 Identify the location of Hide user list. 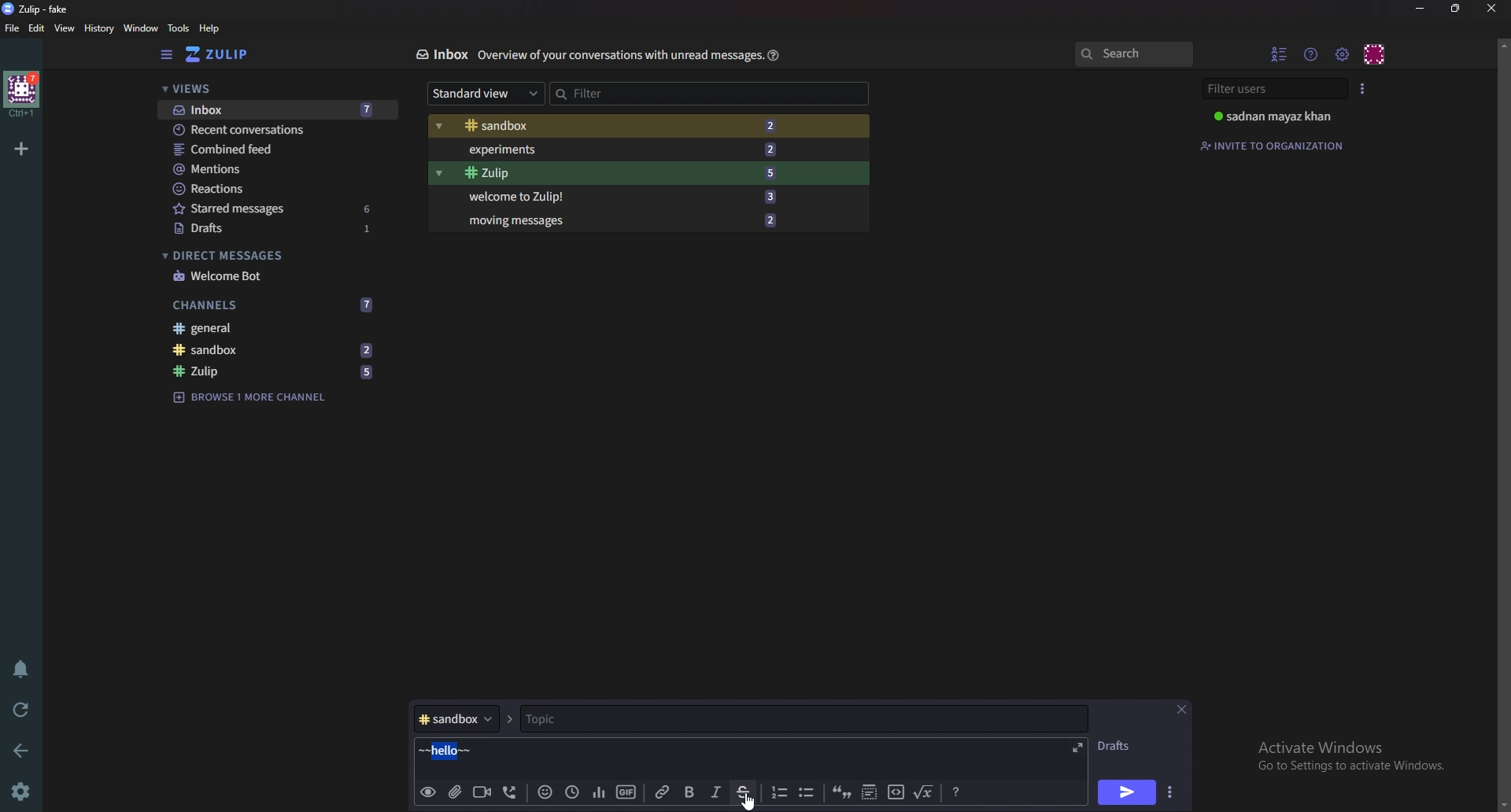
(1280, 53).